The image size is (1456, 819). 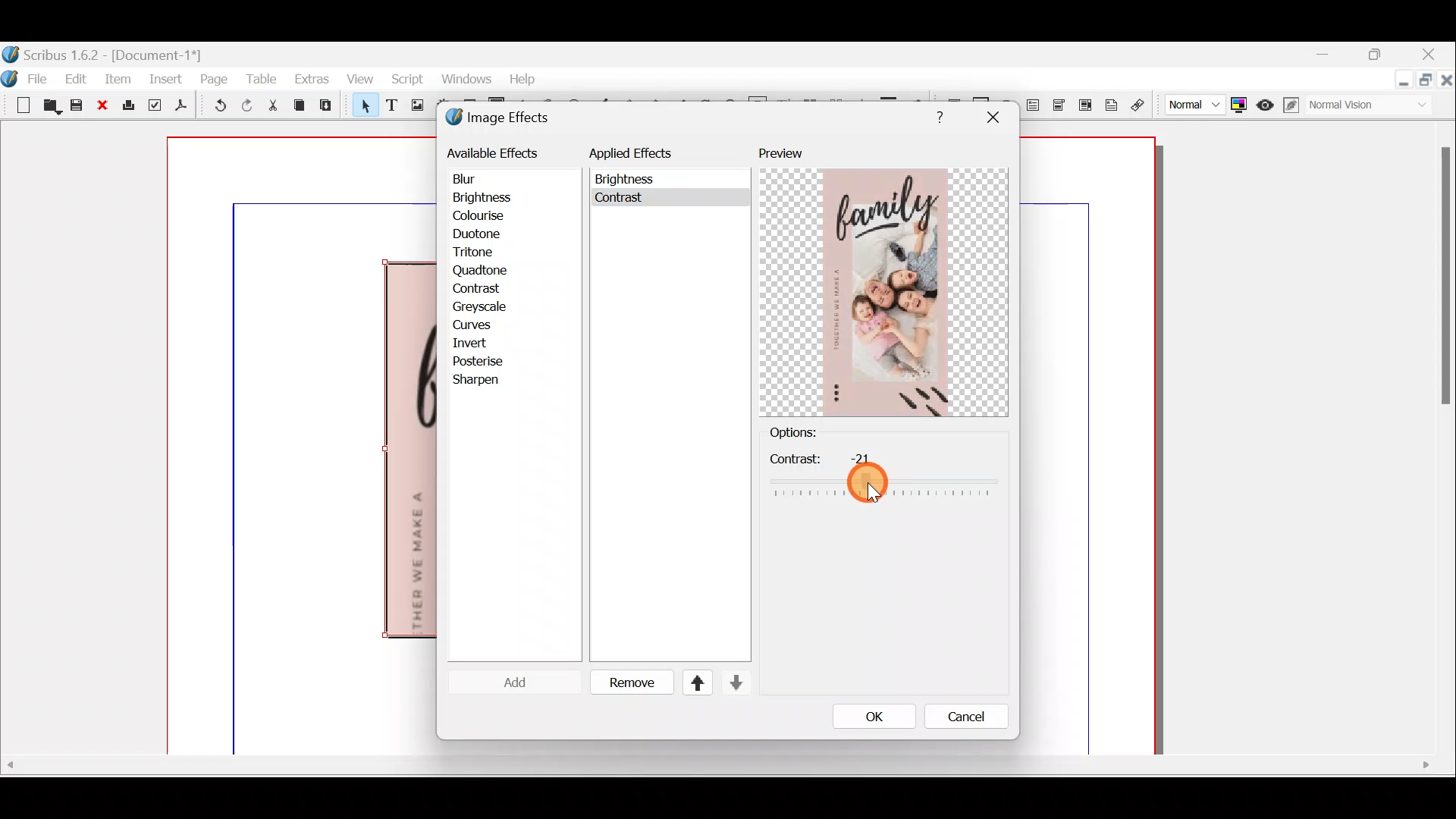 What do you see at coordinates (522, 77) in the screenshot?
I see `Help` at bounding box center [522, 77].